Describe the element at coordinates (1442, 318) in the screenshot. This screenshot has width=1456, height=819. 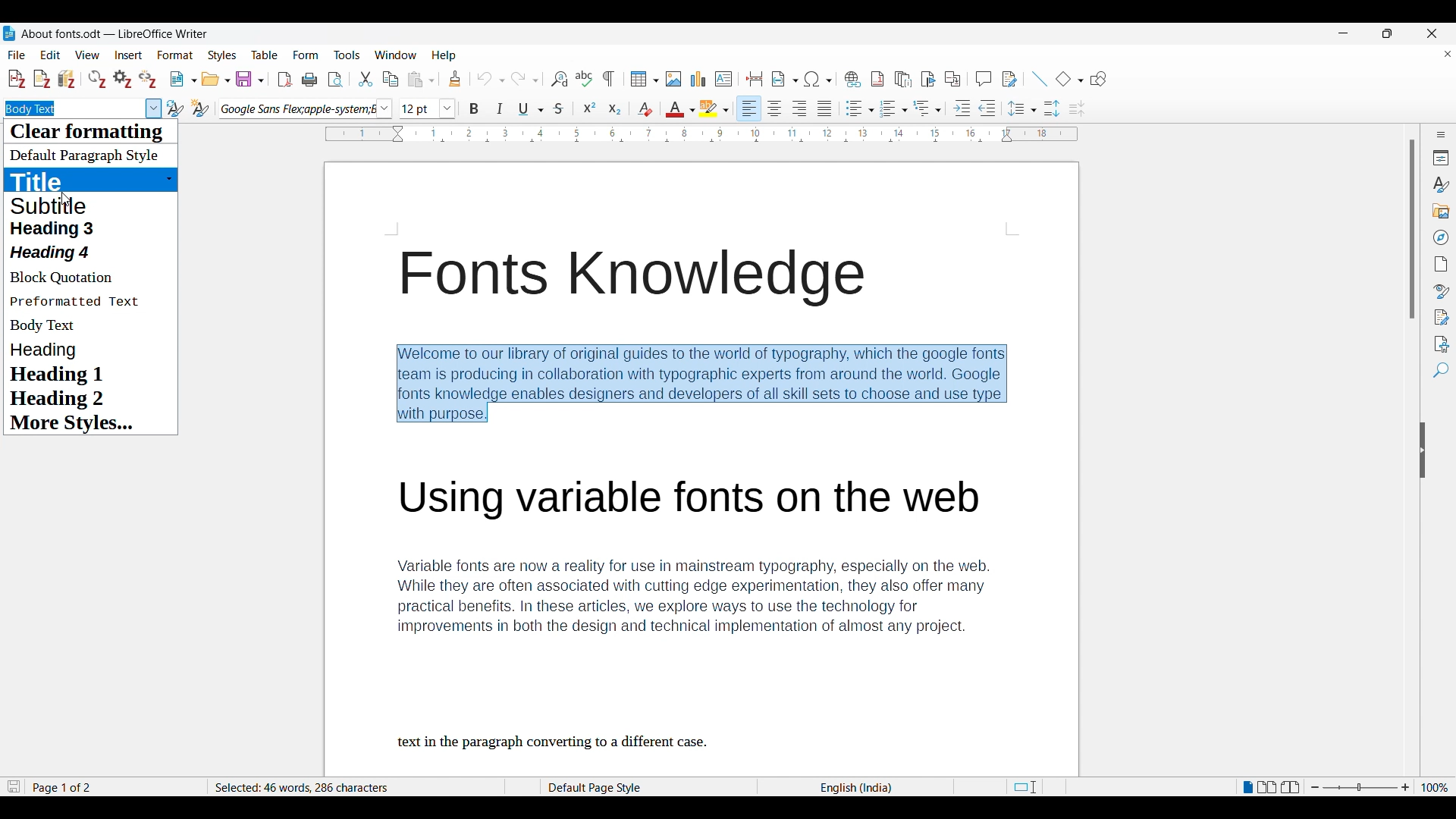
I see `Manage changes` at that location.